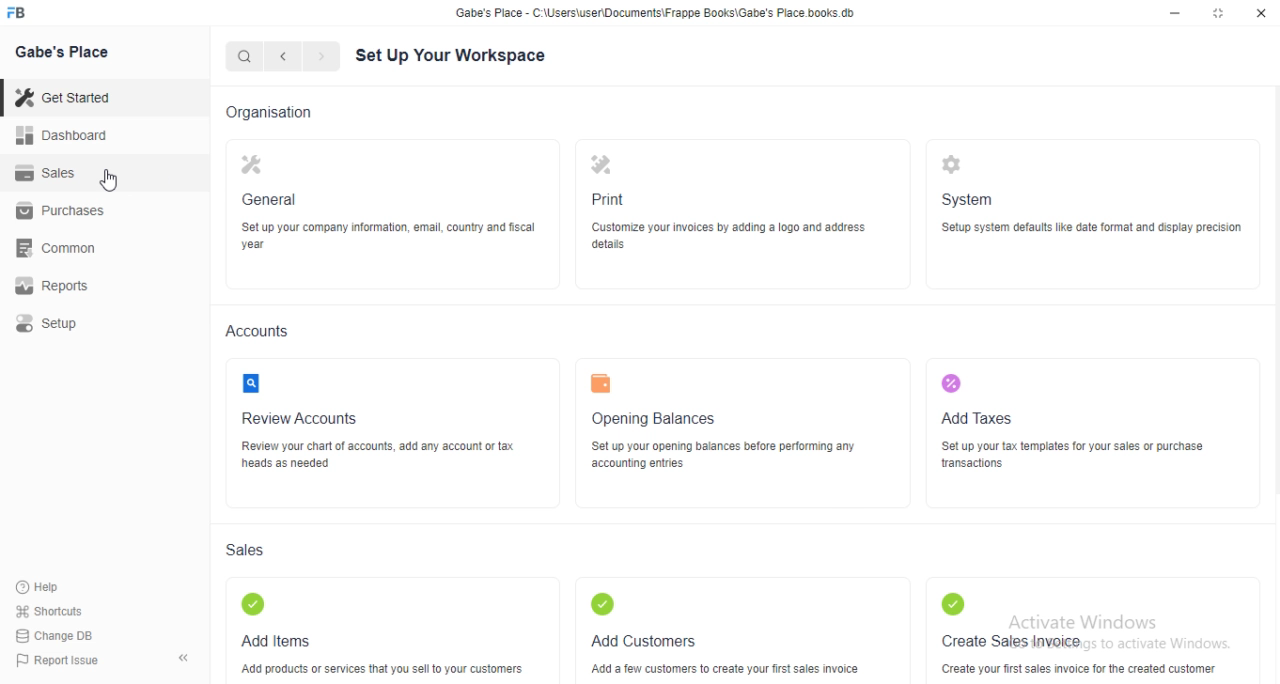  I want to click on minimize, so click(1175, 13).